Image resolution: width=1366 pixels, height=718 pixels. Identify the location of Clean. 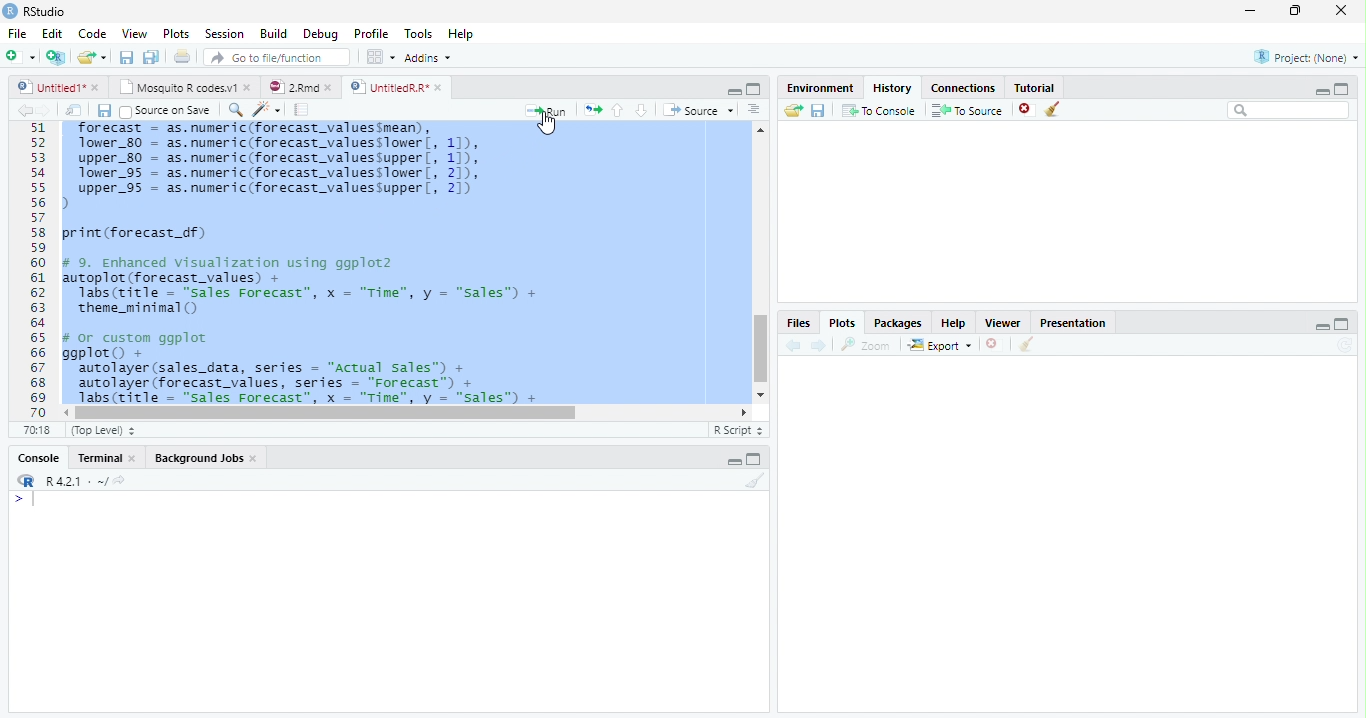
(753, 481).